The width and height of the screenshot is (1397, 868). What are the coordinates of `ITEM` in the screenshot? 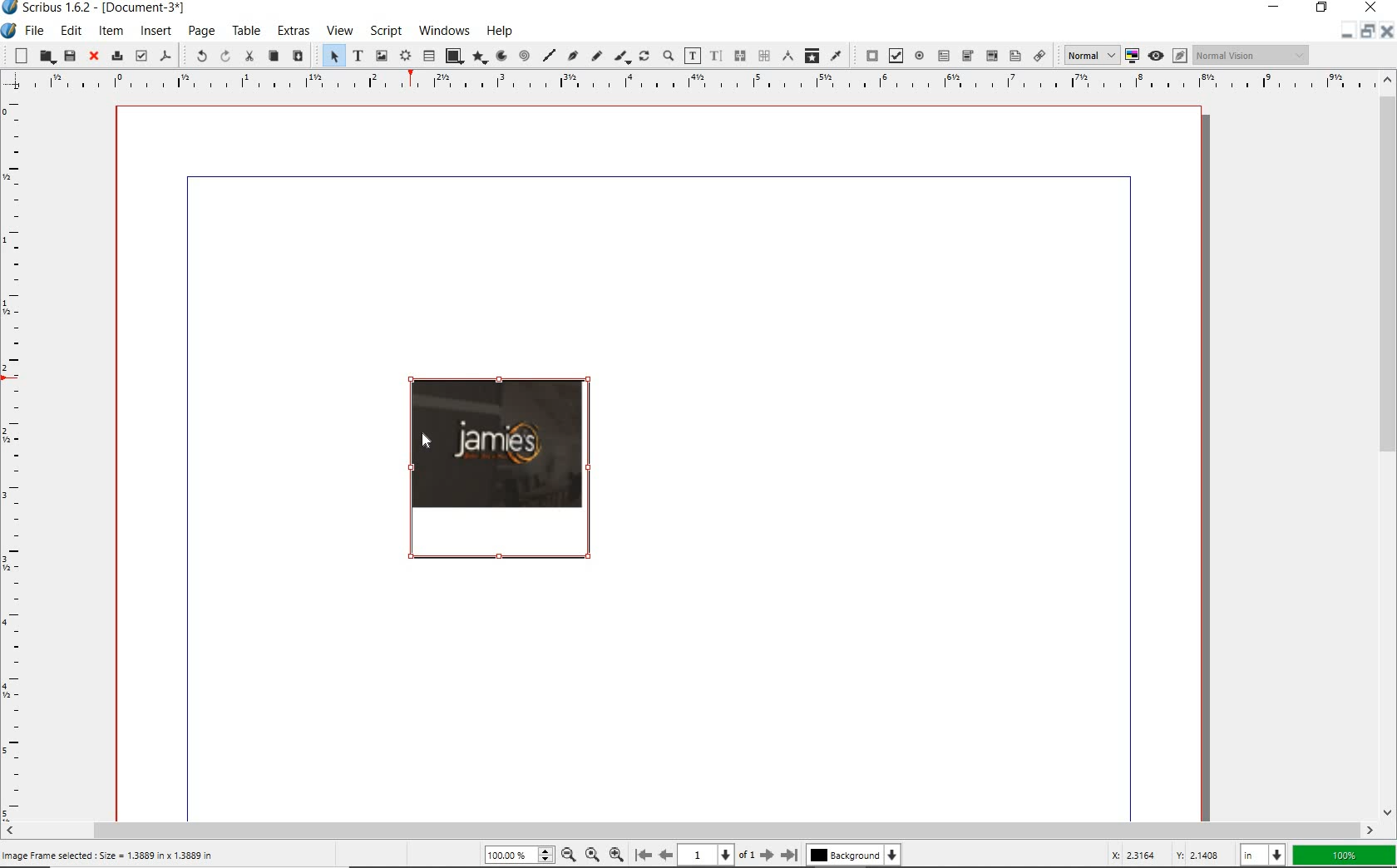 It's located at (111, 30).